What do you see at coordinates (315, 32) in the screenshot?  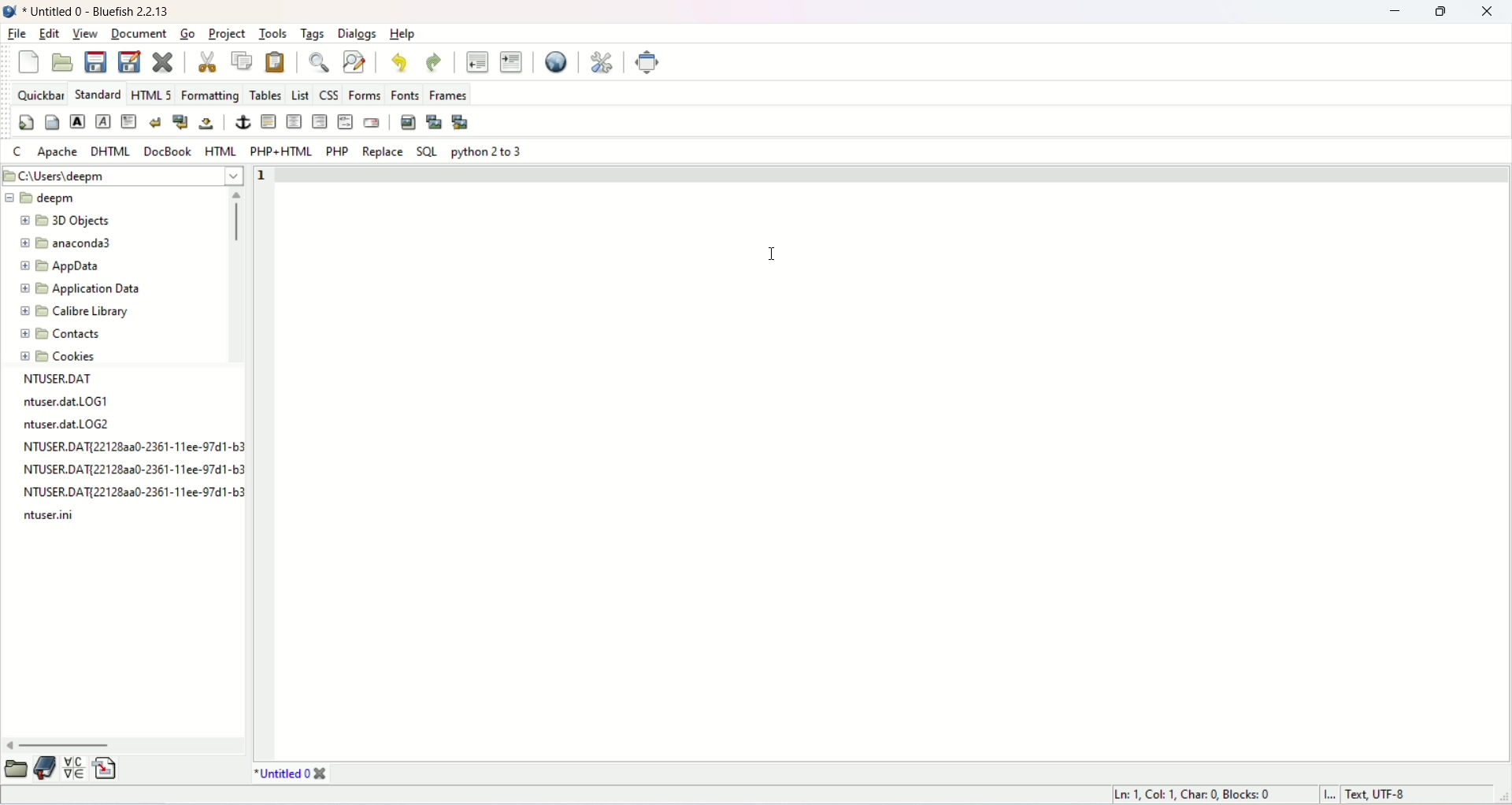 I see `tags` at bounding box center [315, 32].